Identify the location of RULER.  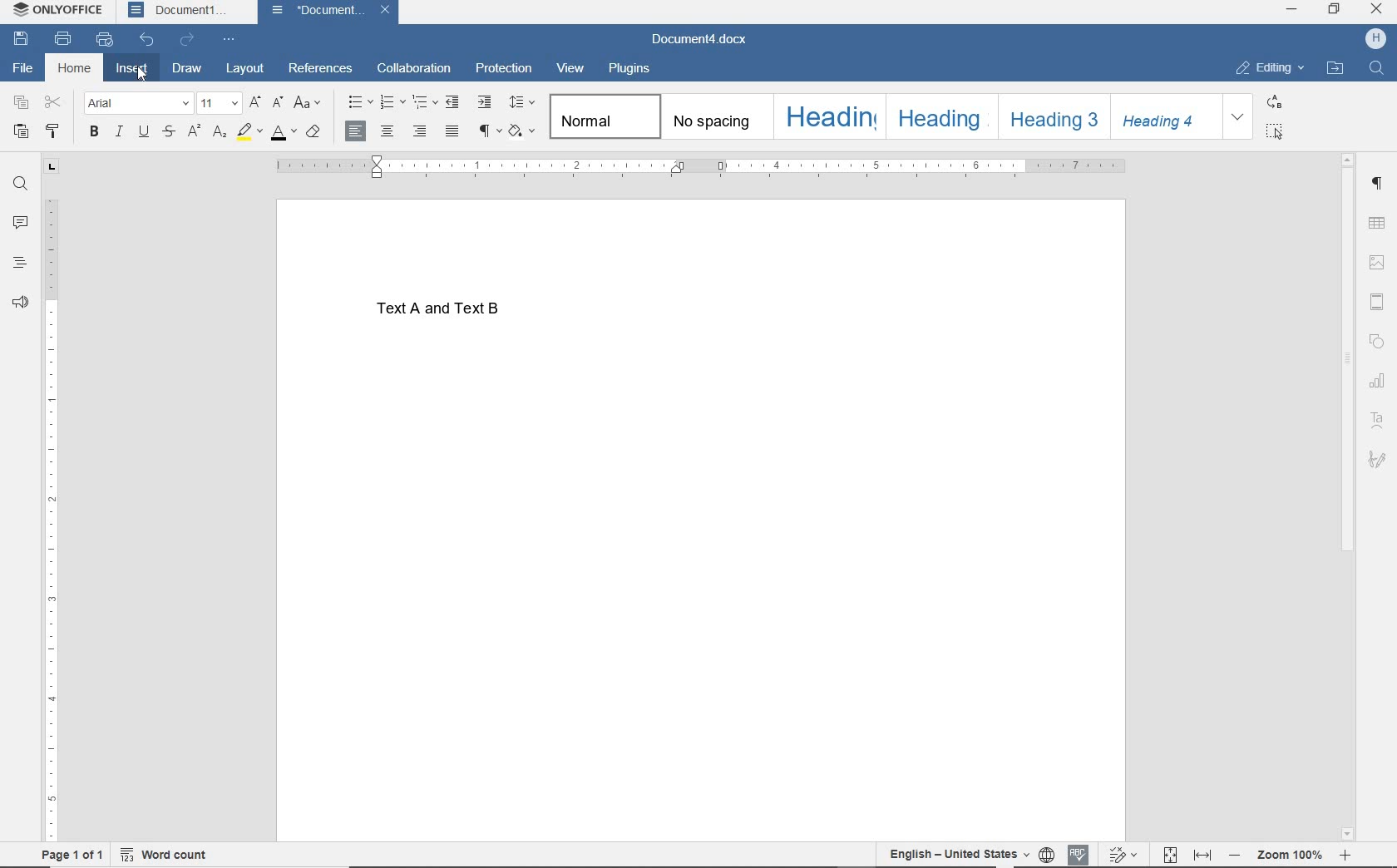
(54, 520).